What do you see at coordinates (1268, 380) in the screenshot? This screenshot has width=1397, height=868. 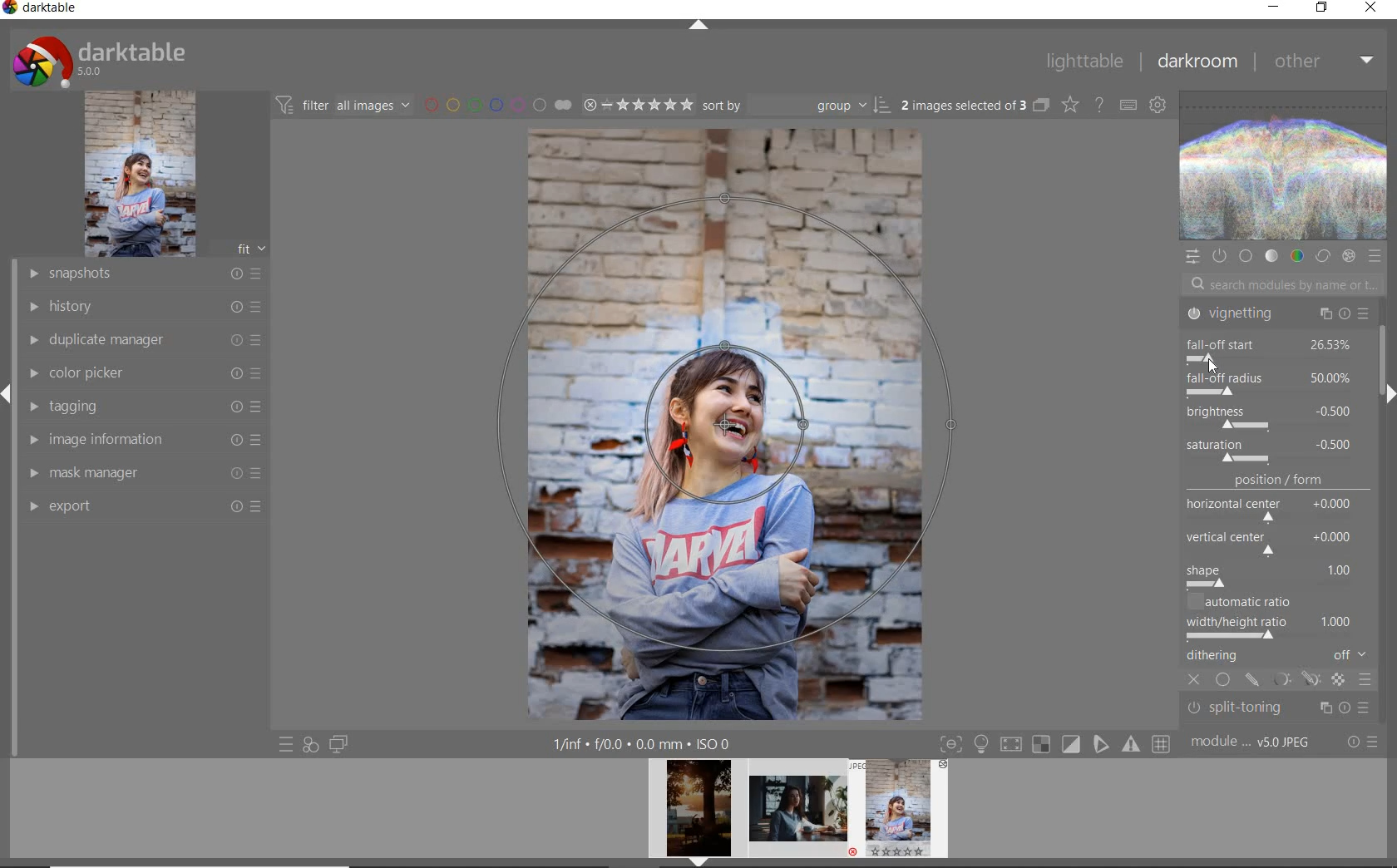 I see `fall-off radius` at bounding box center [1268, 380].